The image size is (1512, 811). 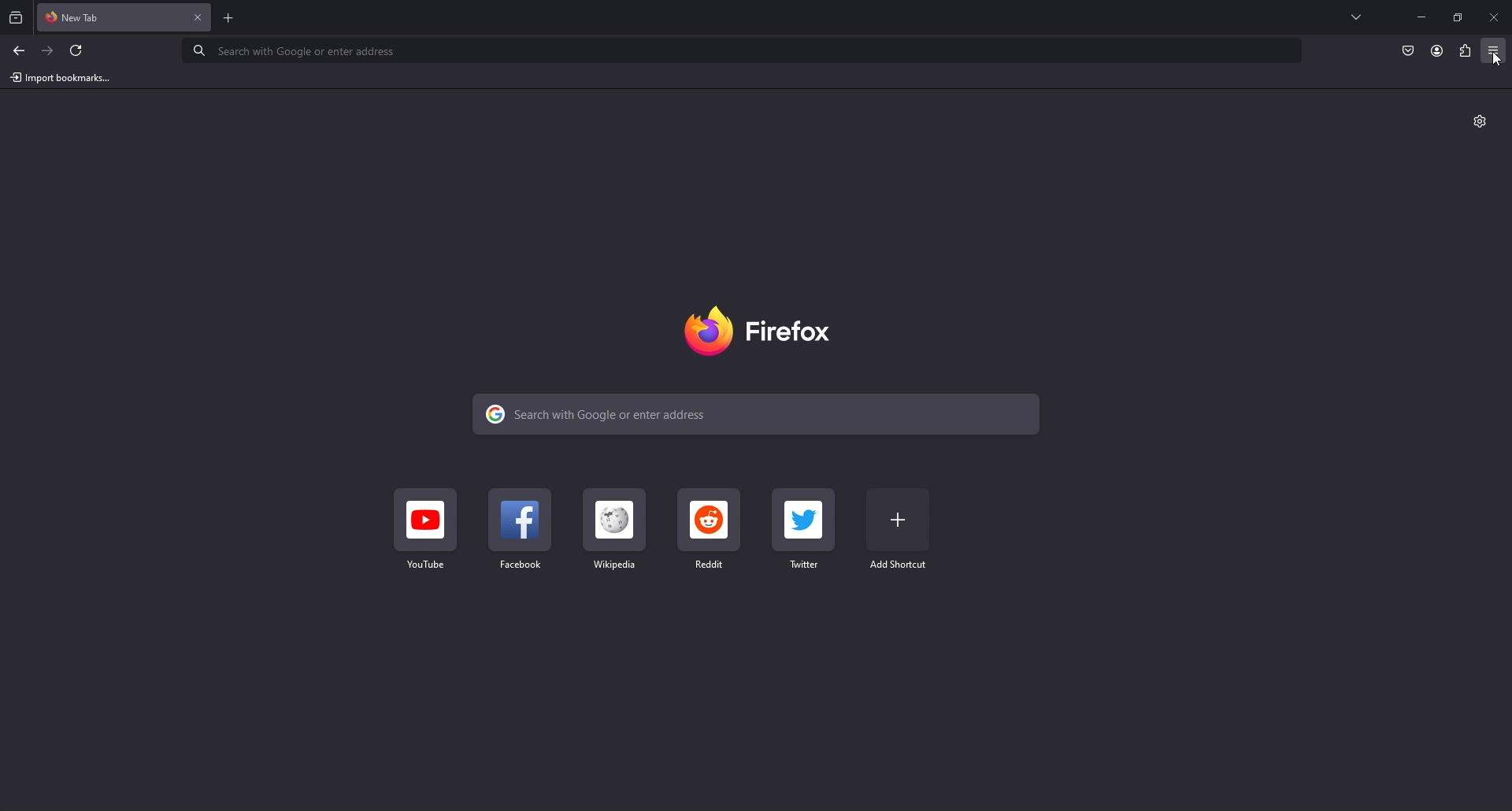 What do you see at coordinates (76, 50) in the screenshot?
I see `refresh` at bounding box center [76, 50].